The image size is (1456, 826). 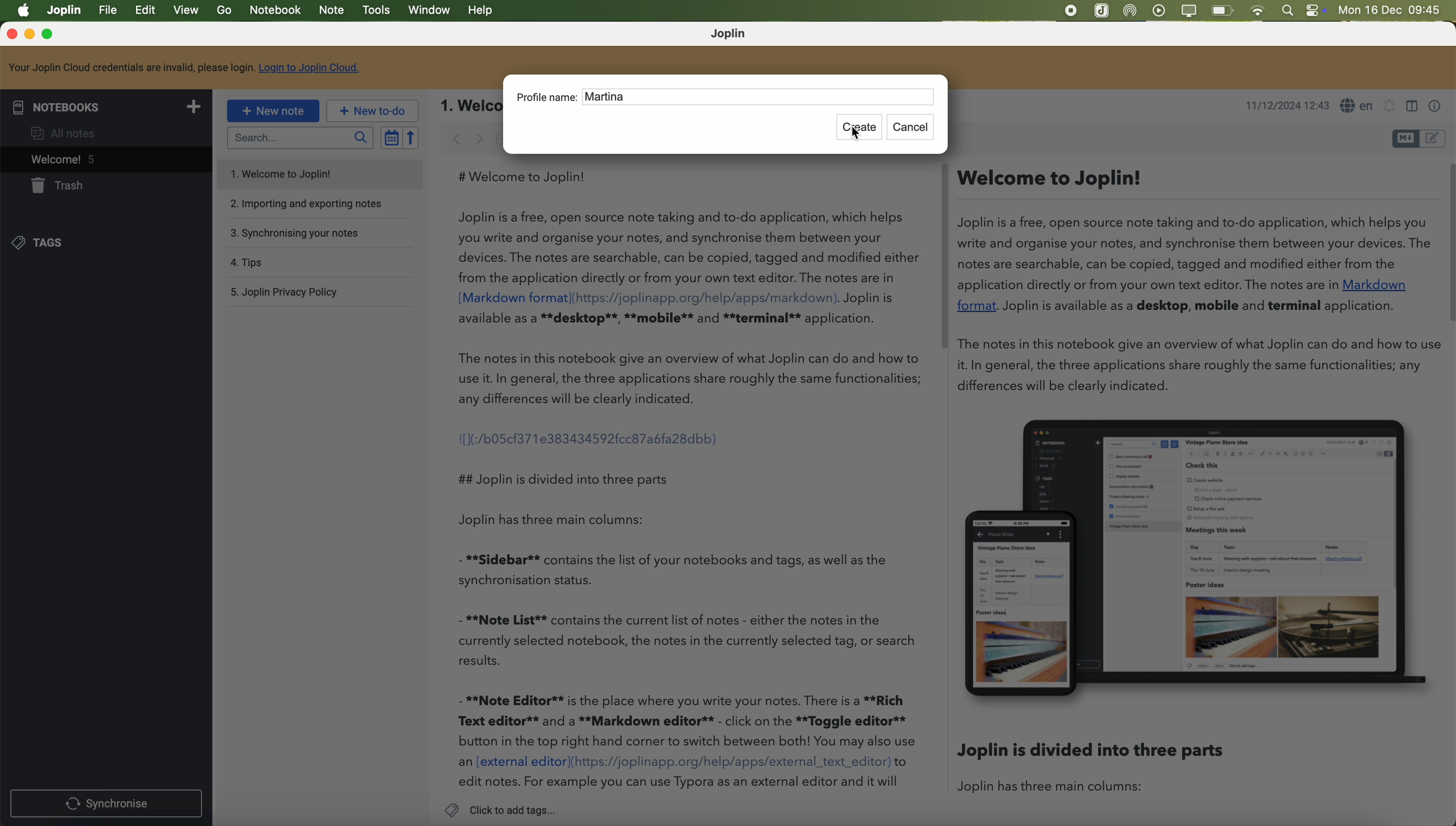 I want to click on battery, so click(x=1223, y=10).